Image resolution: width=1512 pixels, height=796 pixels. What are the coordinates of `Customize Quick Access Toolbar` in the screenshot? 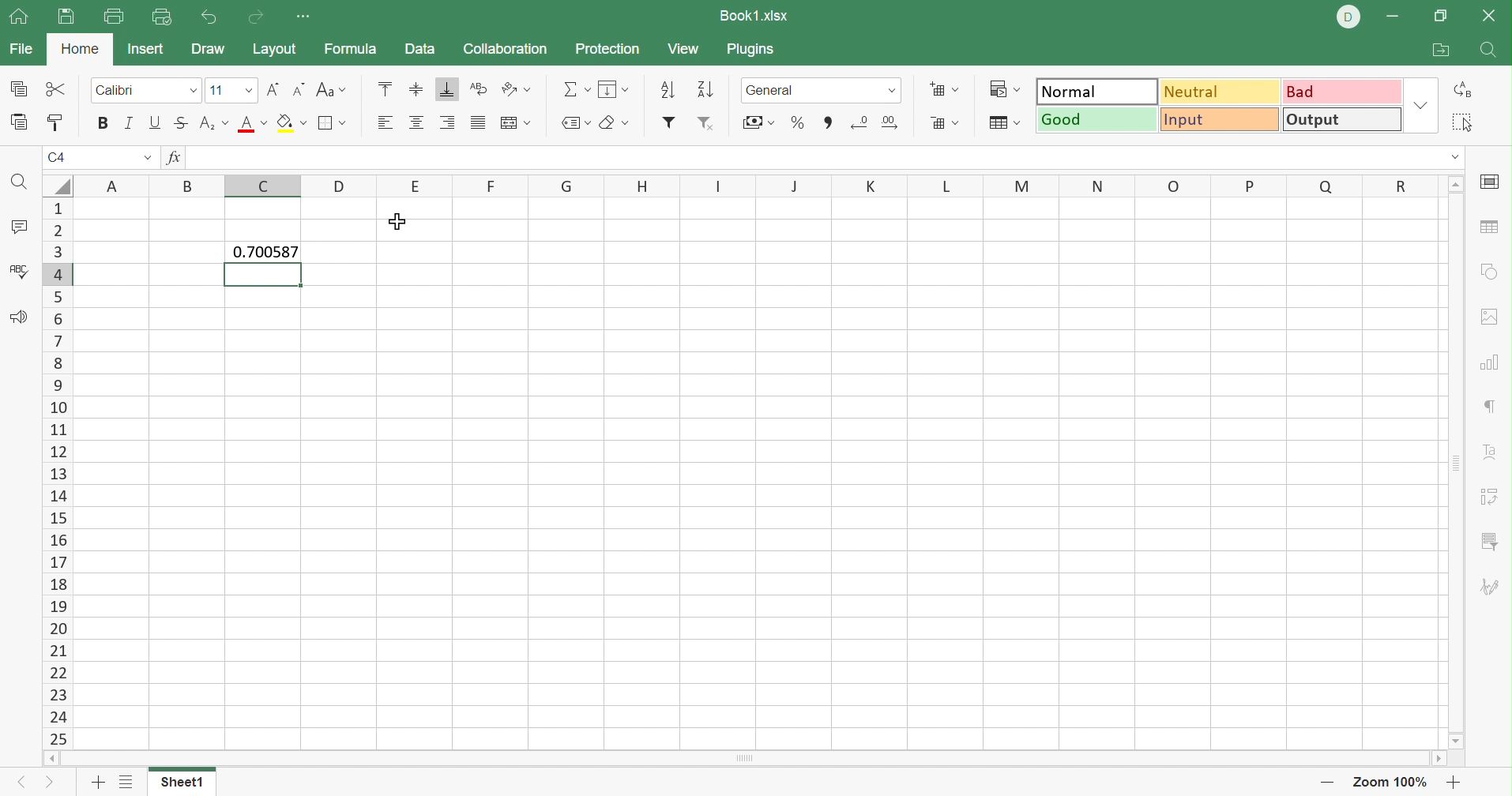 It's located at (303, 17).